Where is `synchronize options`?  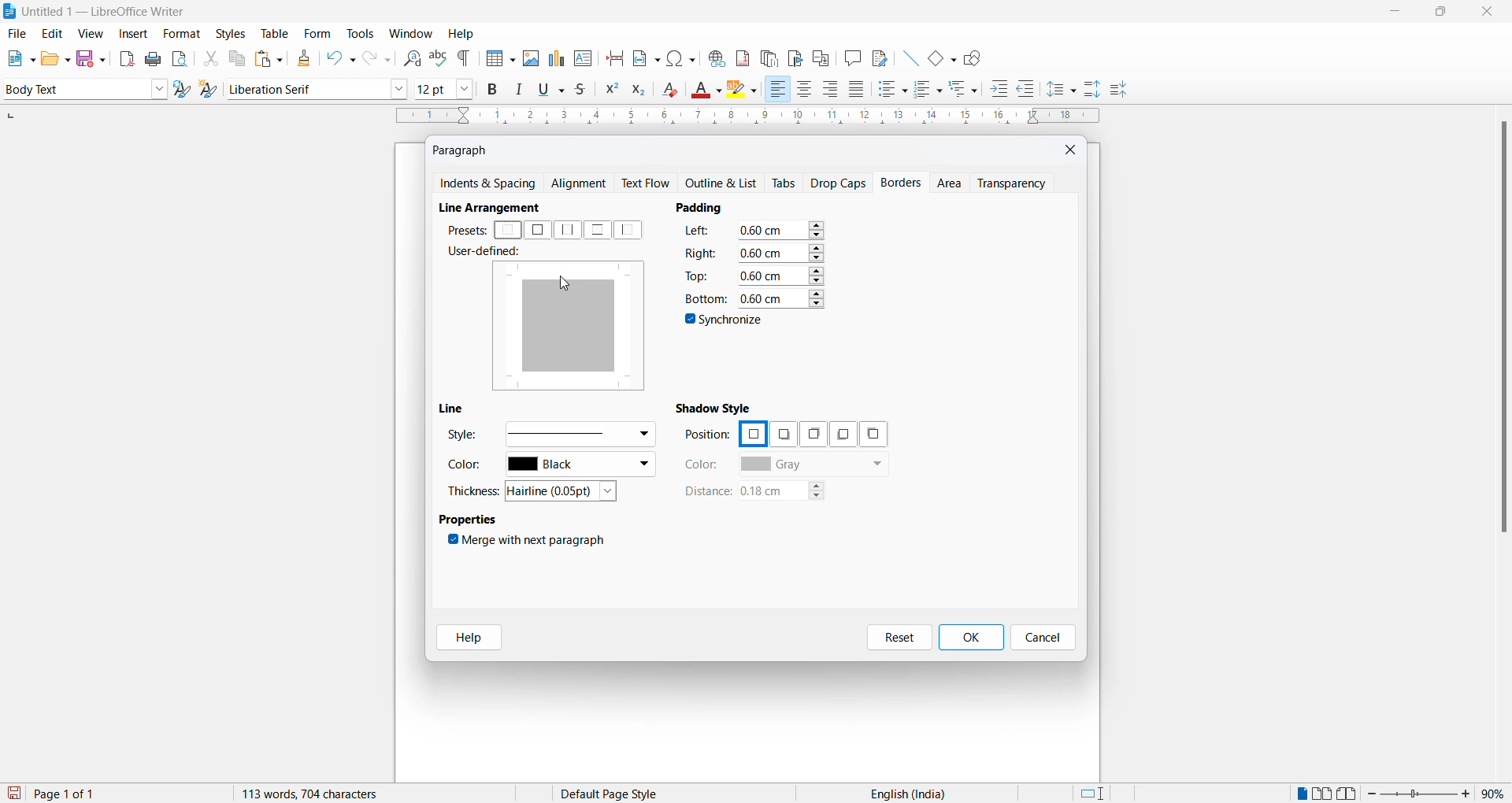
synchronize options is located at coordinates (726, 322).